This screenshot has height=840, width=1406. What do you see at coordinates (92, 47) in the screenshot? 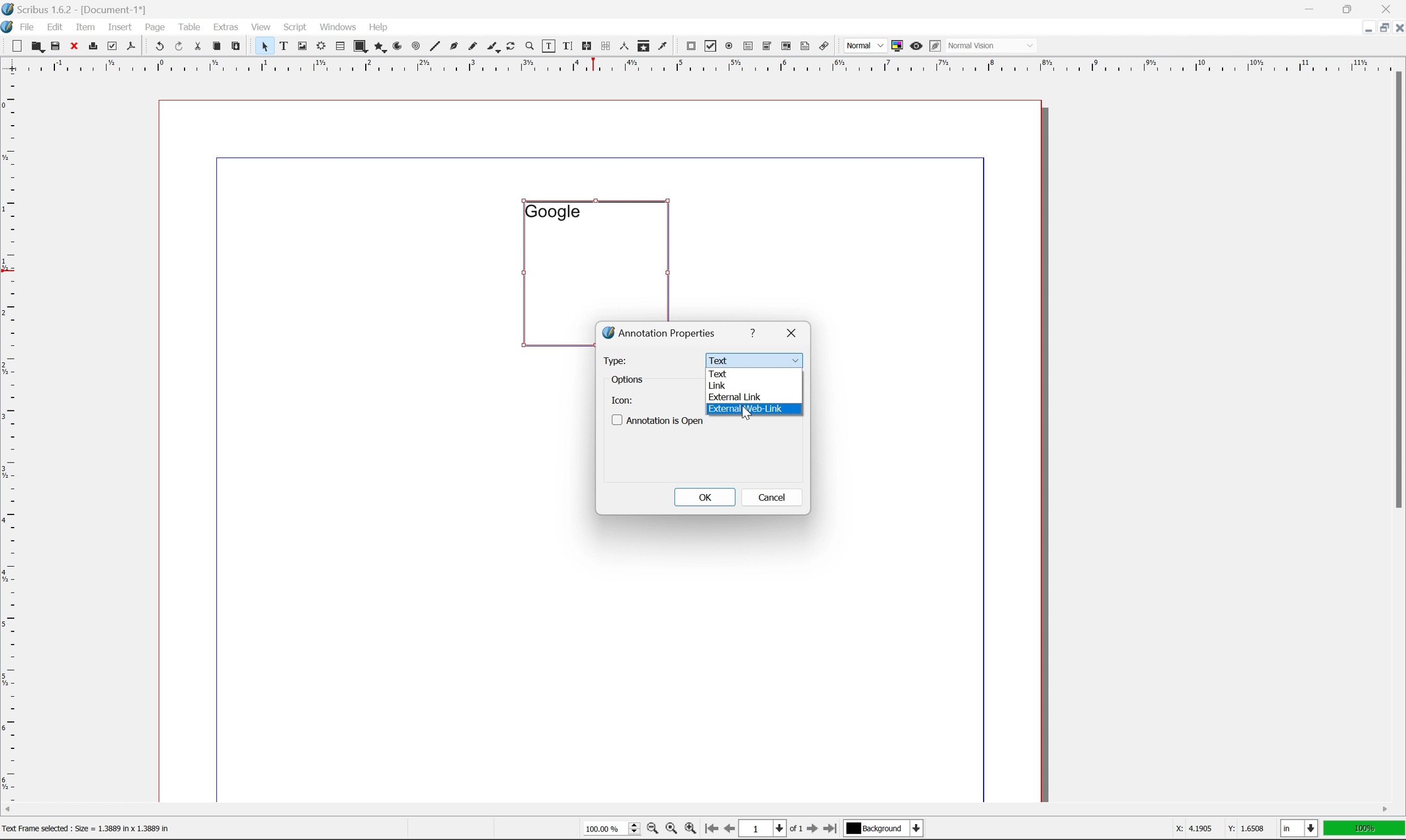
I see `print` at bounding box center [92, 47].